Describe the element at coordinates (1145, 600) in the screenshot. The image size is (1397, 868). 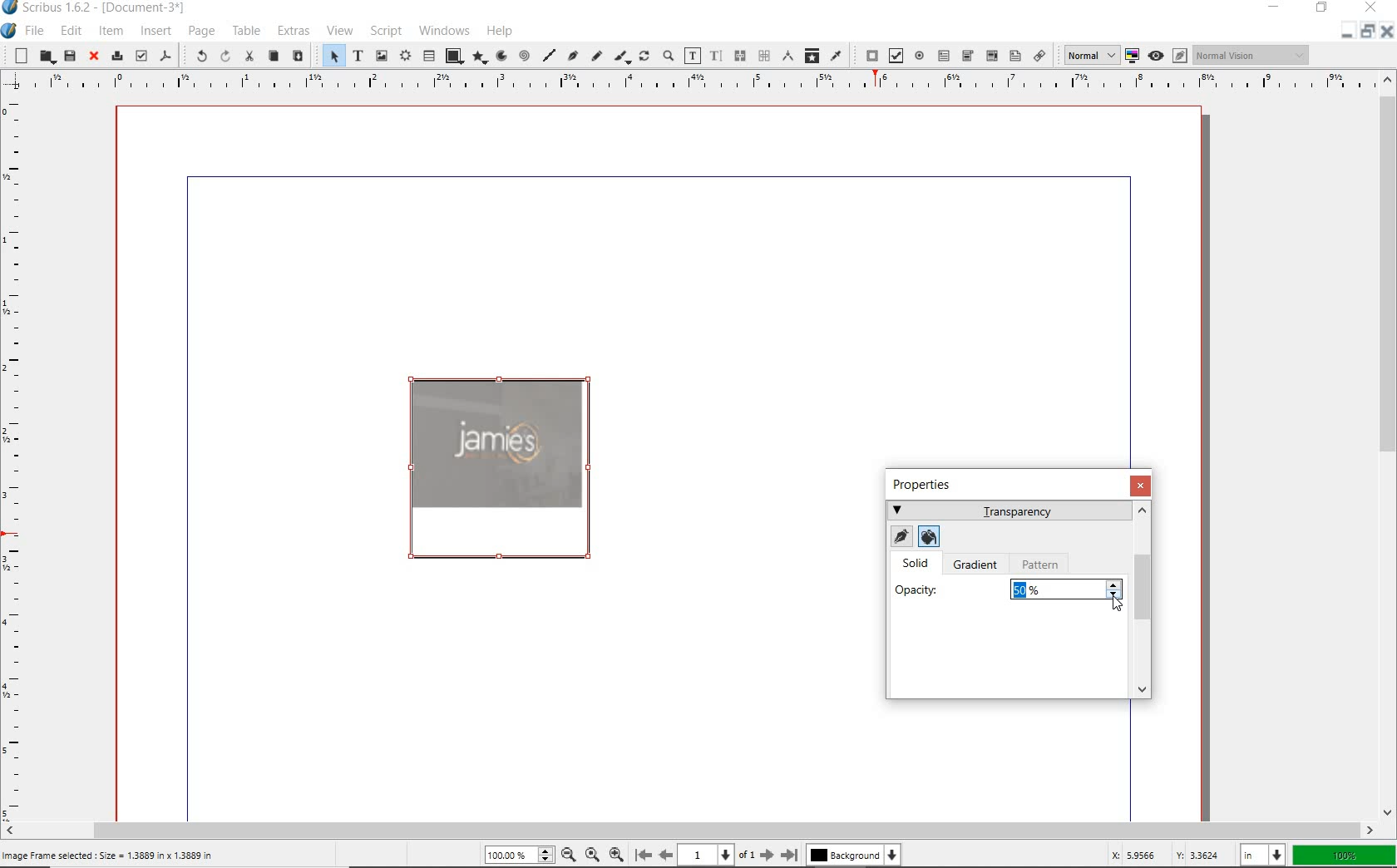
I see `SCROLLBAR` at that location.